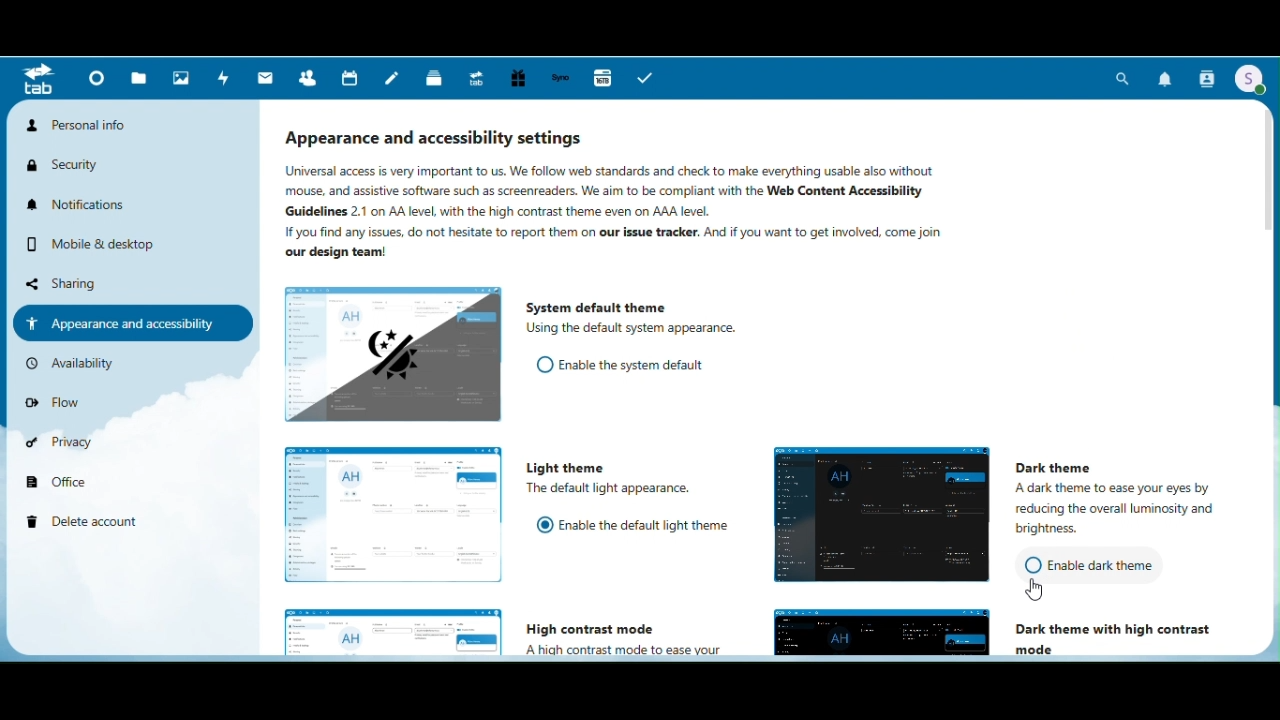  What do you see at coordinates (1251, 80) in the screenshot?
I see `Account icon` at bounding box center [1251, 80].